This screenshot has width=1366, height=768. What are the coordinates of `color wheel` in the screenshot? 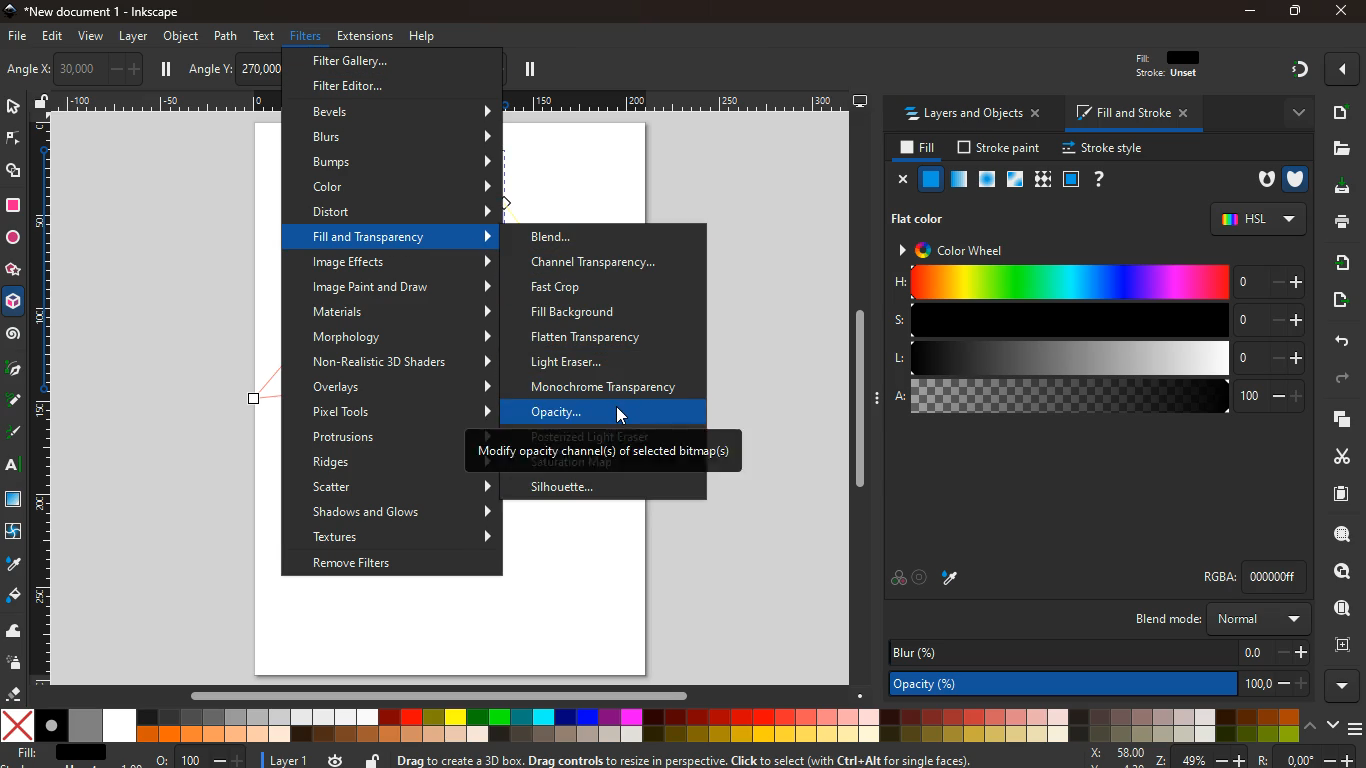 It's located at (960, 249).